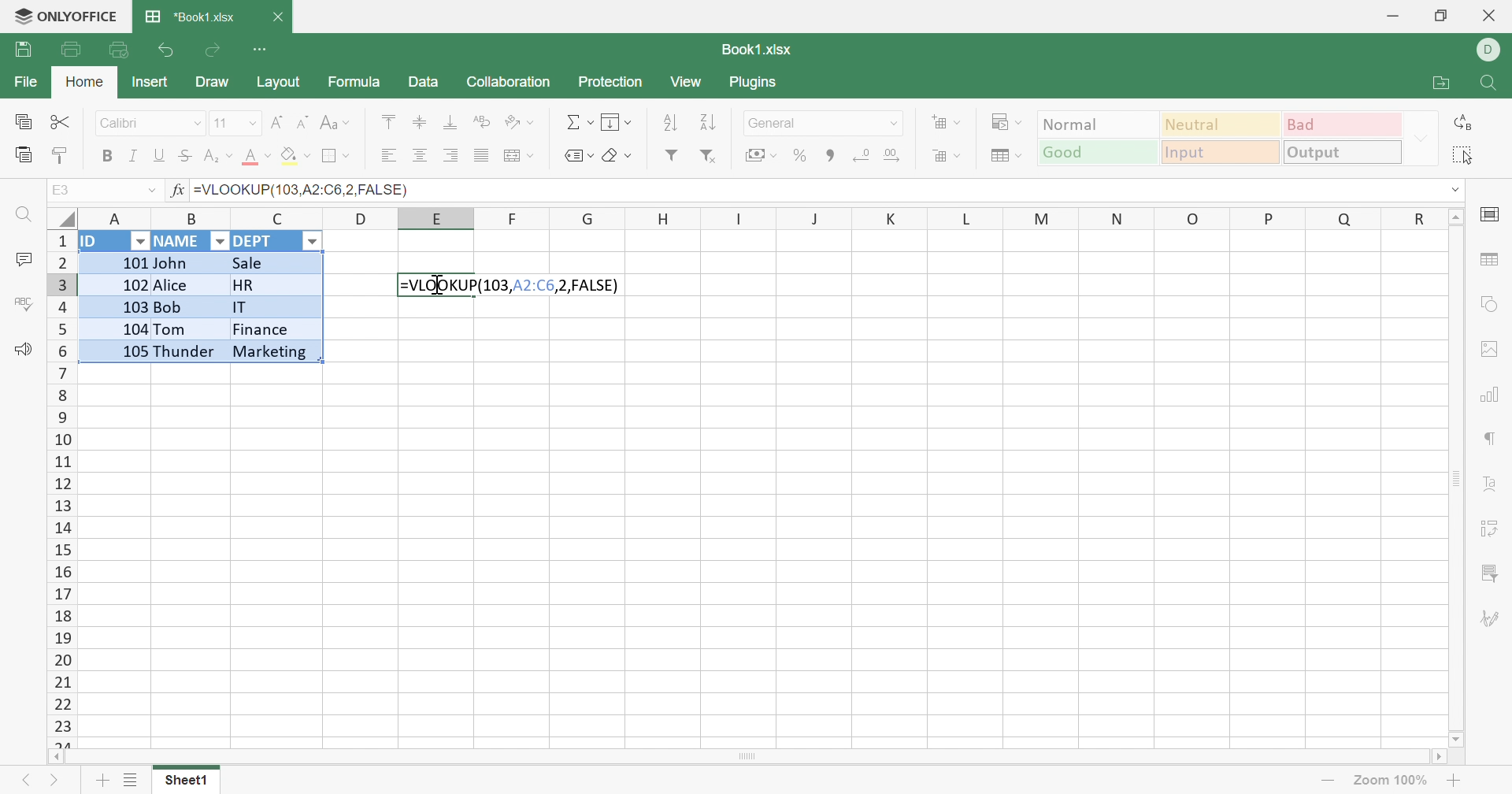  Describe the element at coordinates (421, 123) in the screenshot. I see `Align Middle` at that location.